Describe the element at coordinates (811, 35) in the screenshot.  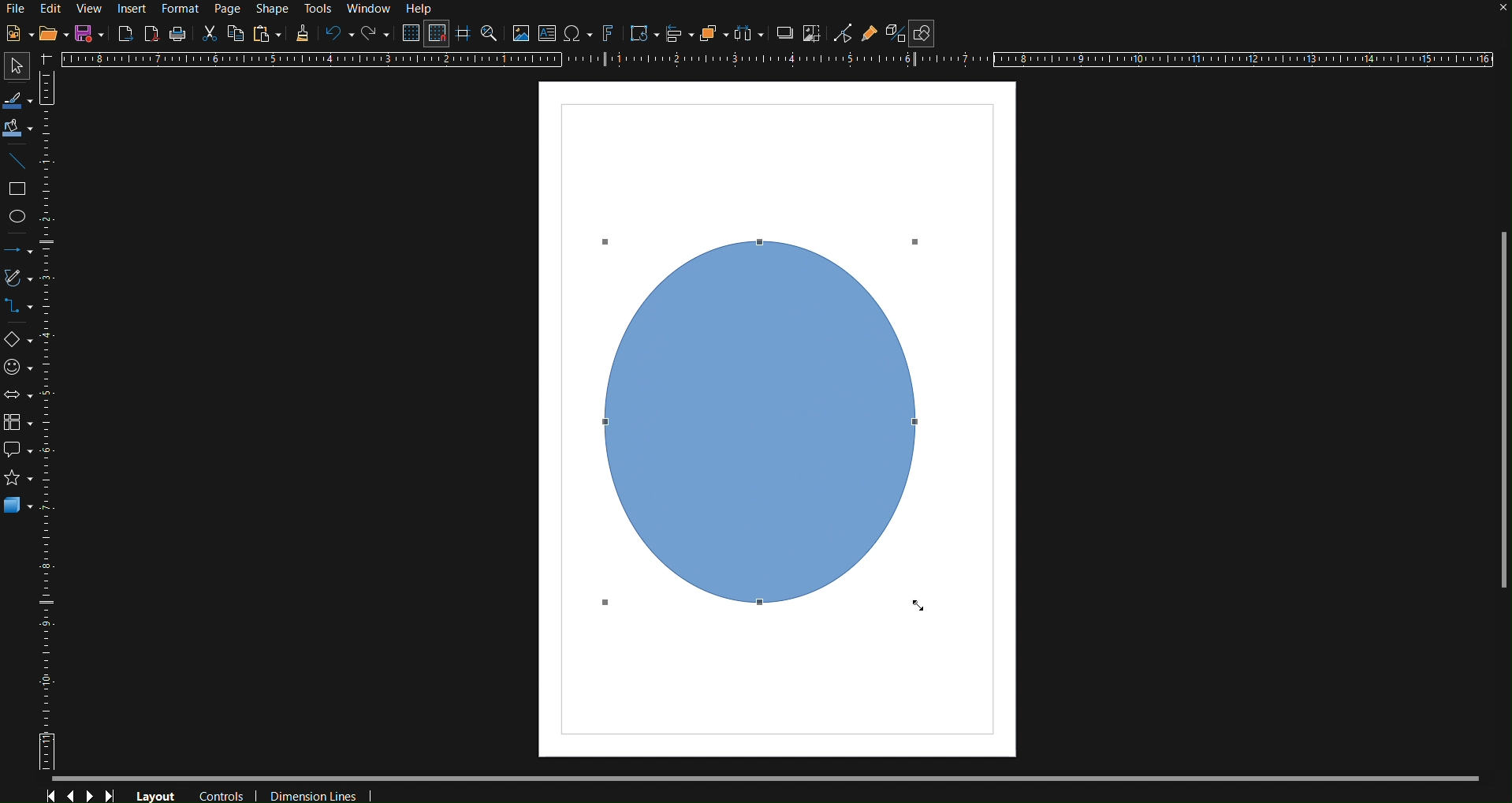
I see `Crop Image` at that location.